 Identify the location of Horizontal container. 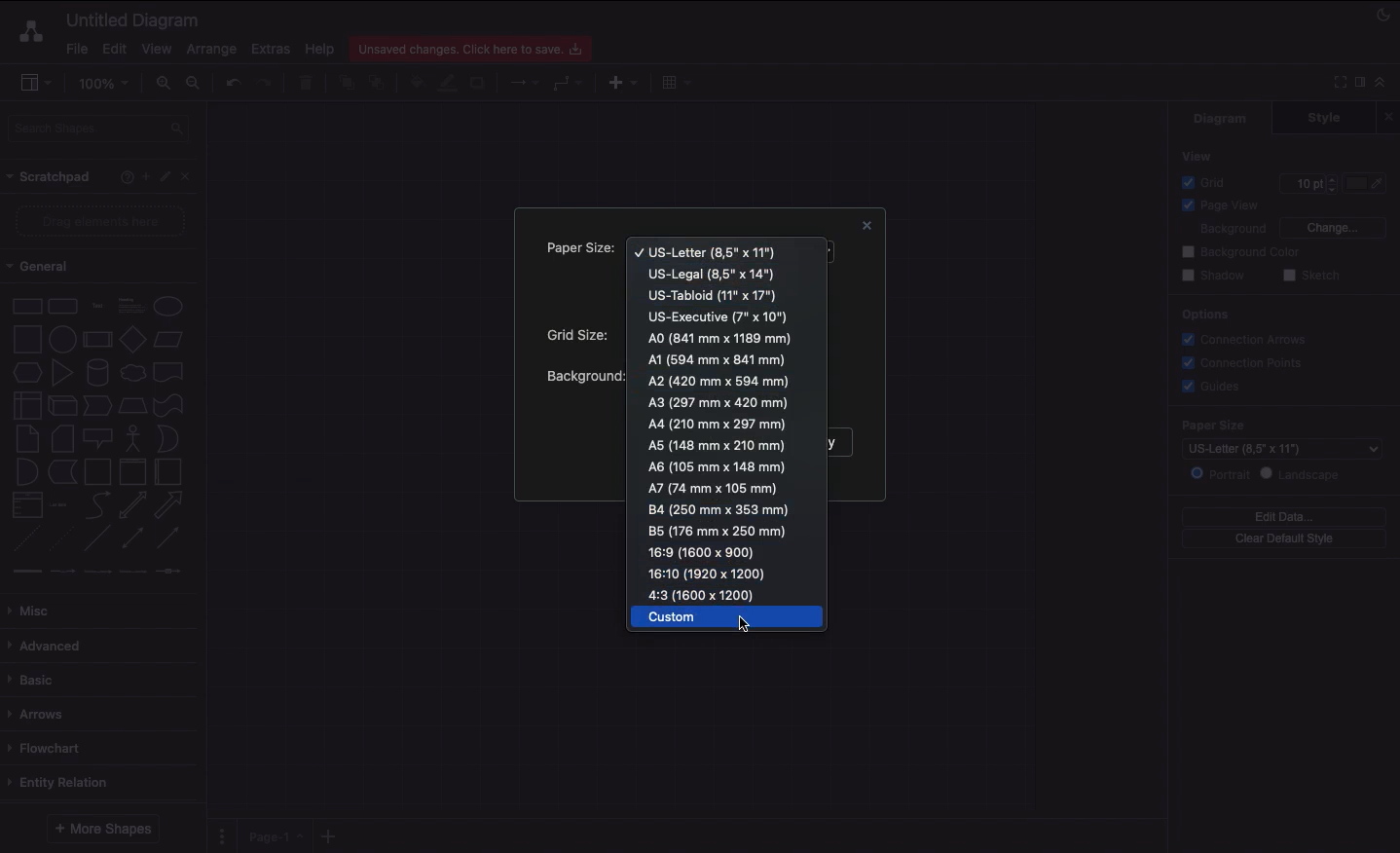
(169, 471).